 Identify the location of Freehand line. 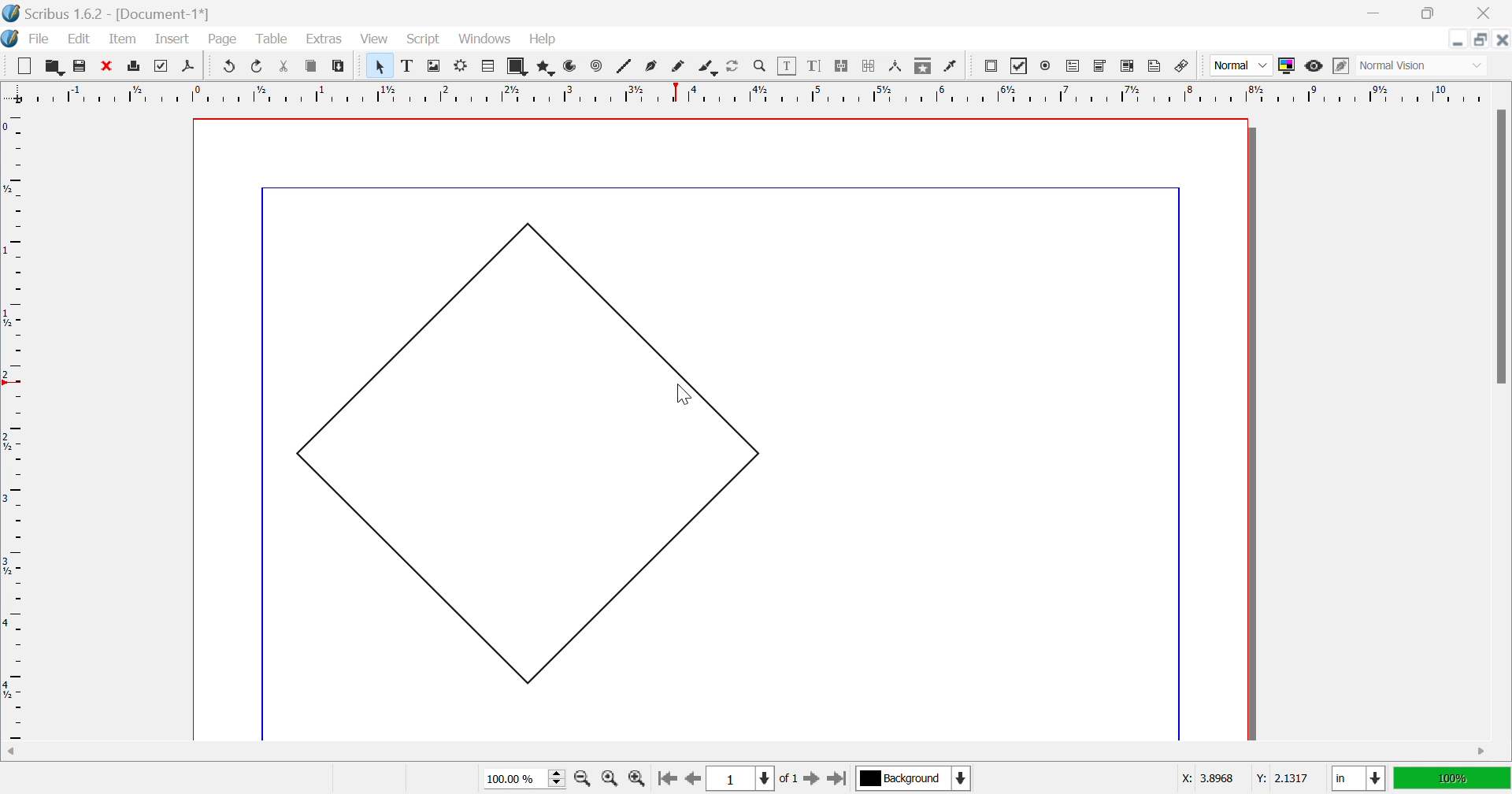
(678, 67).